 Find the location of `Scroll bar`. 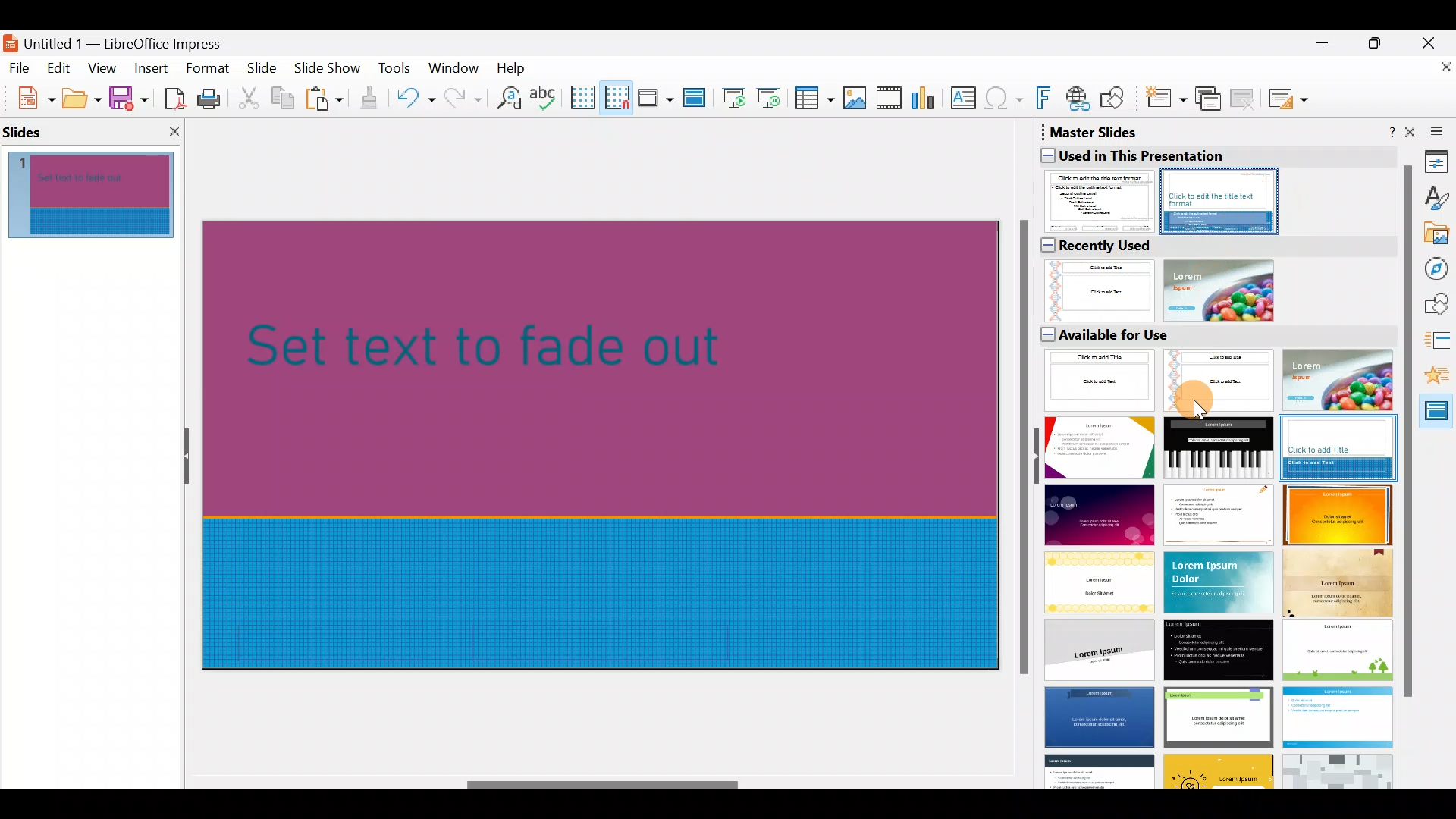

Scroll bar is located at coordinates (604, 785).